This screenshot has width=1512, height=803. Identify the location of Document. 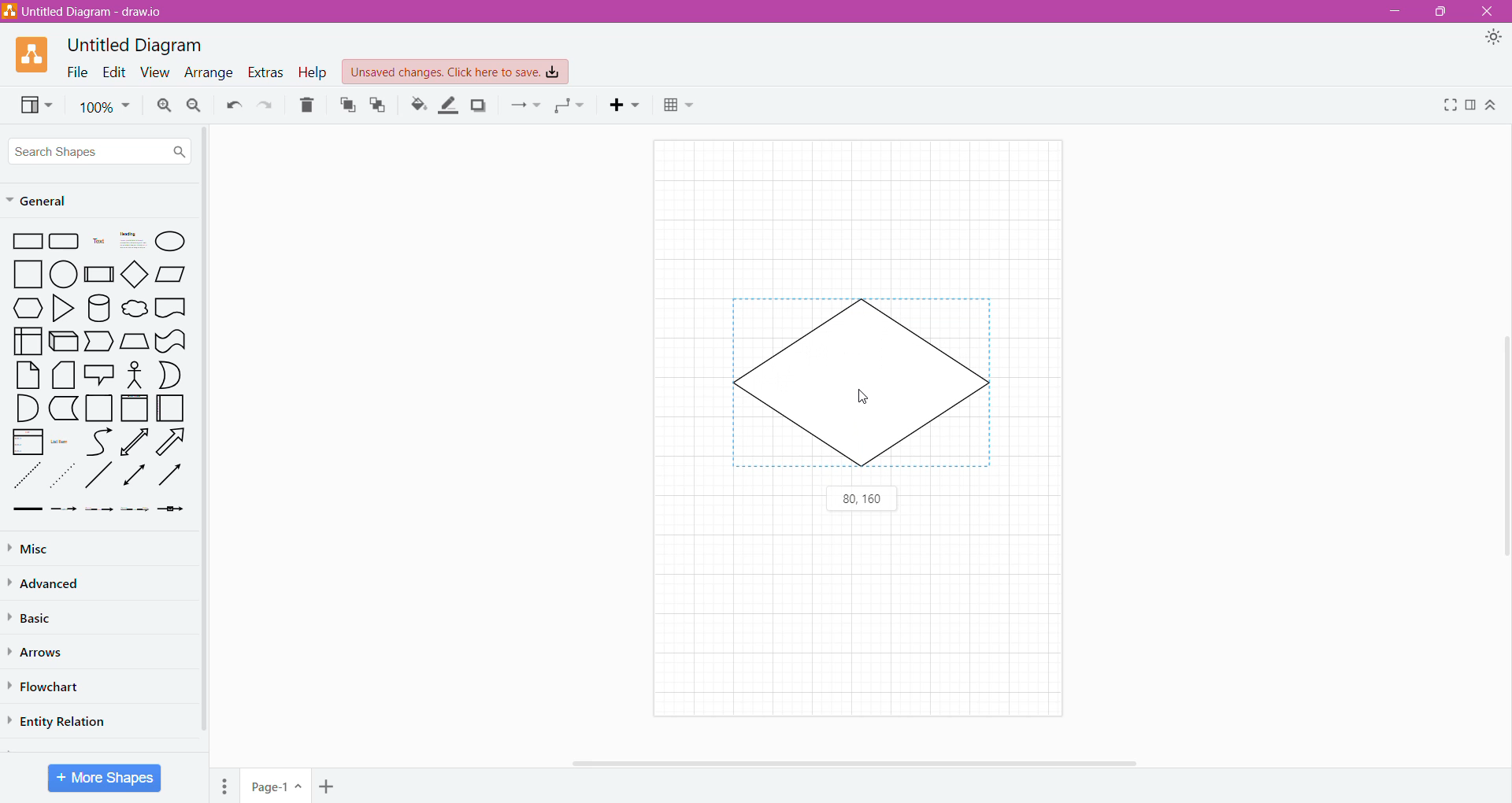
(171, 309).